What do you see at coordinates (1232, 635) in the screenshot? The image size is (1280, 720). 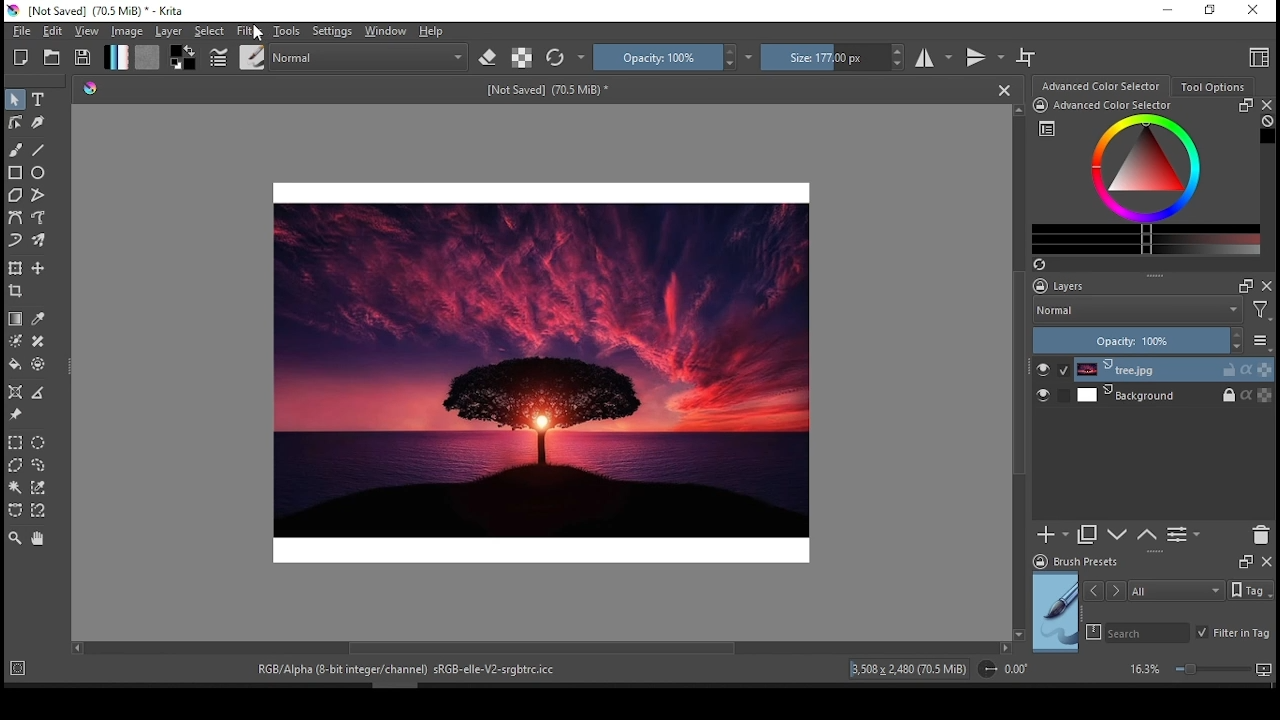 I see `filter in tag on/off` at bounding box center [1232, 635].